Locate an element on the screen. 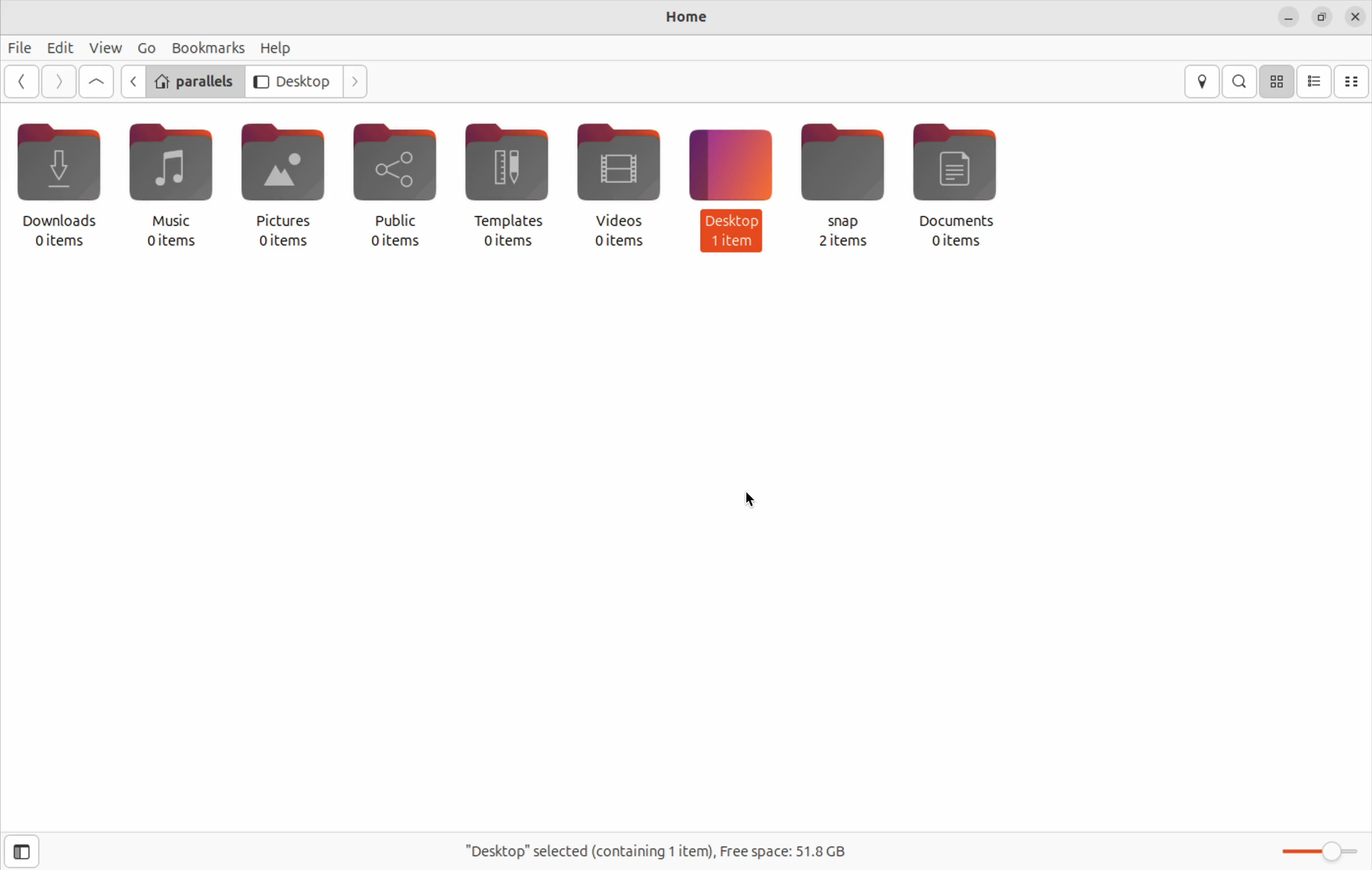 The image size is (1372, 870). list view is located at coordinates (1314, 81).